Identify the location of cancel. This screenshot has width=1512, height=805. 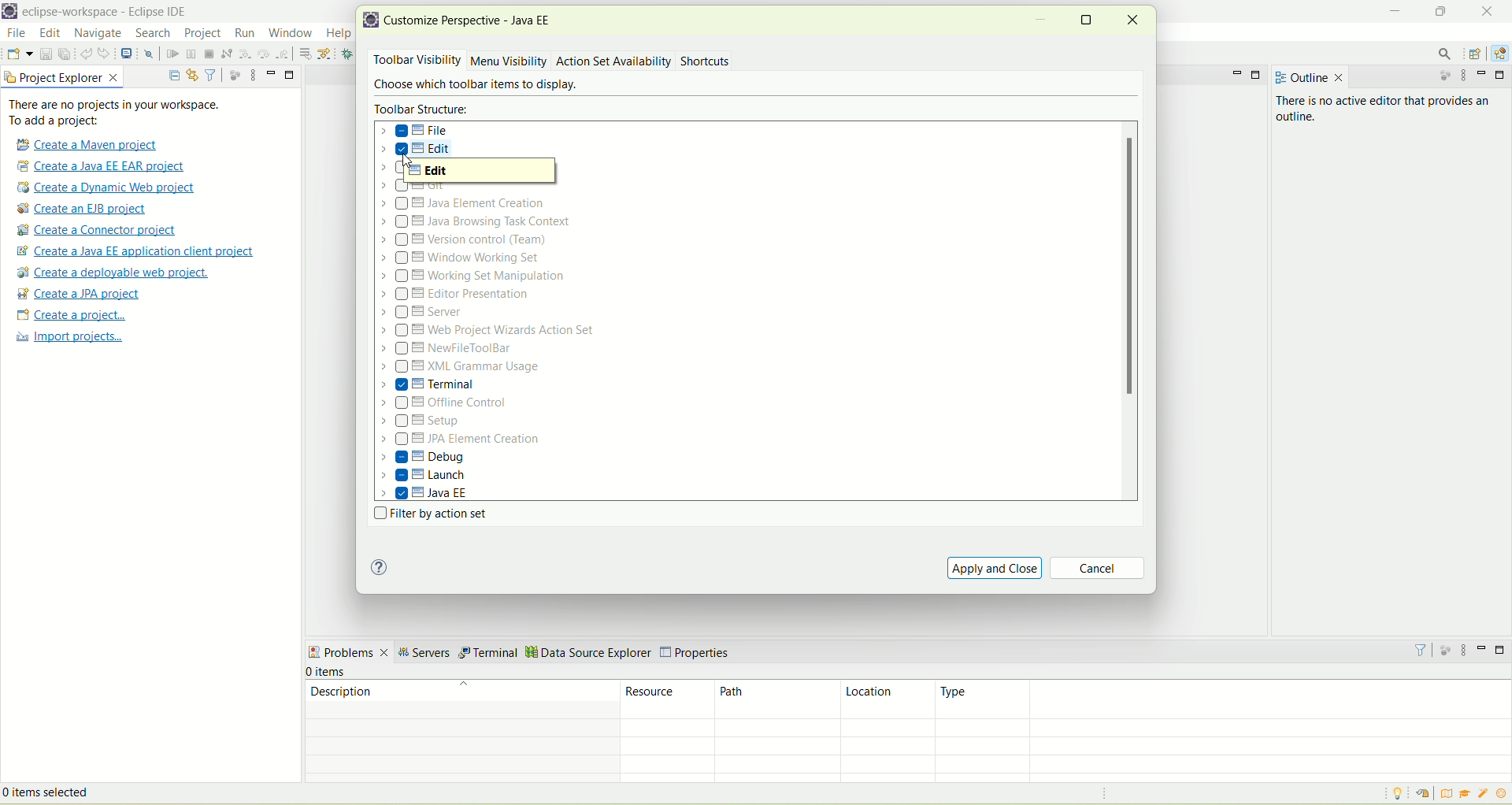
(1099, 569).